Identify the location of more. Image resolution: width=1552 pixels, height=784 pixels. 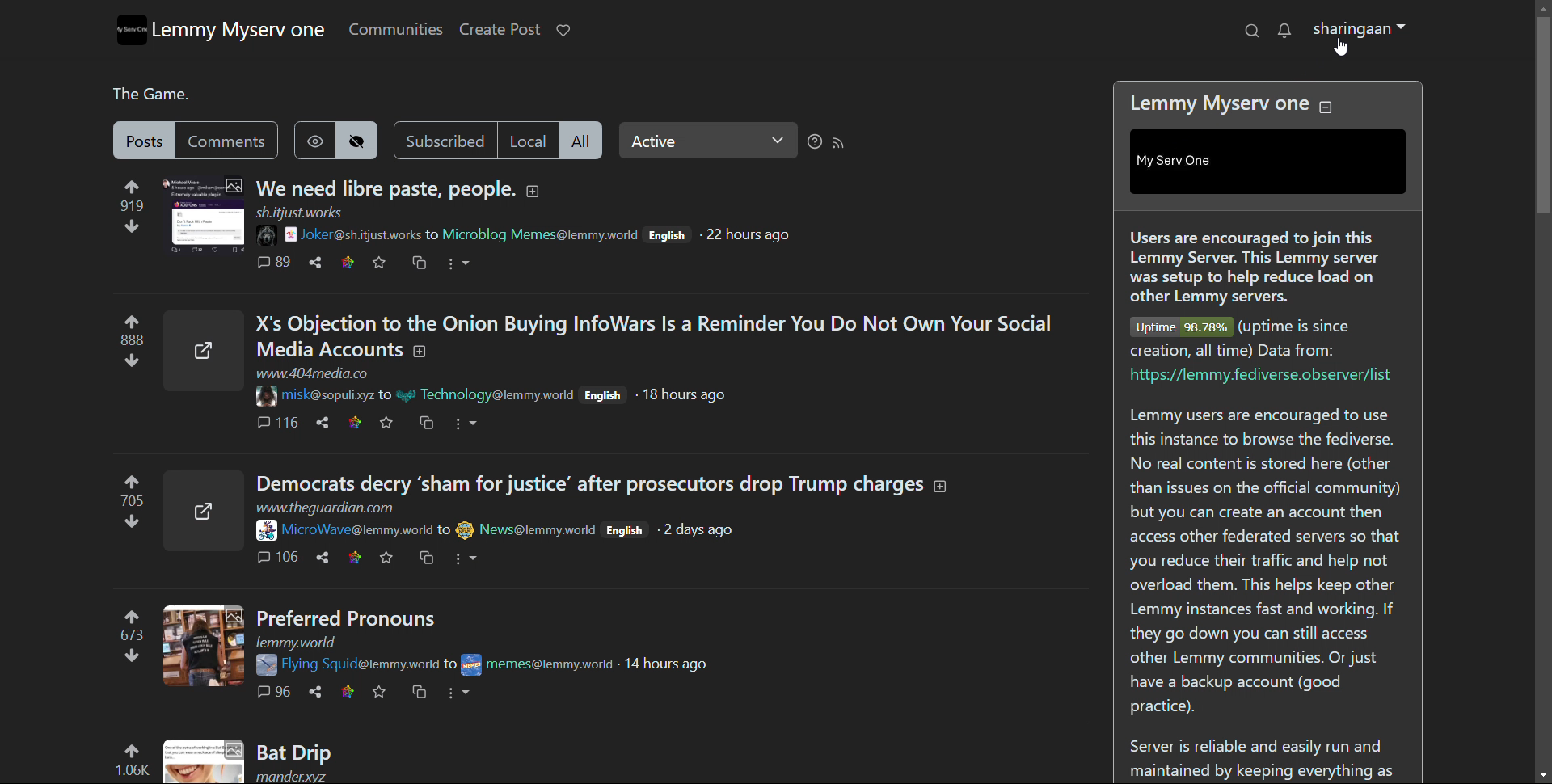
(470, 558).